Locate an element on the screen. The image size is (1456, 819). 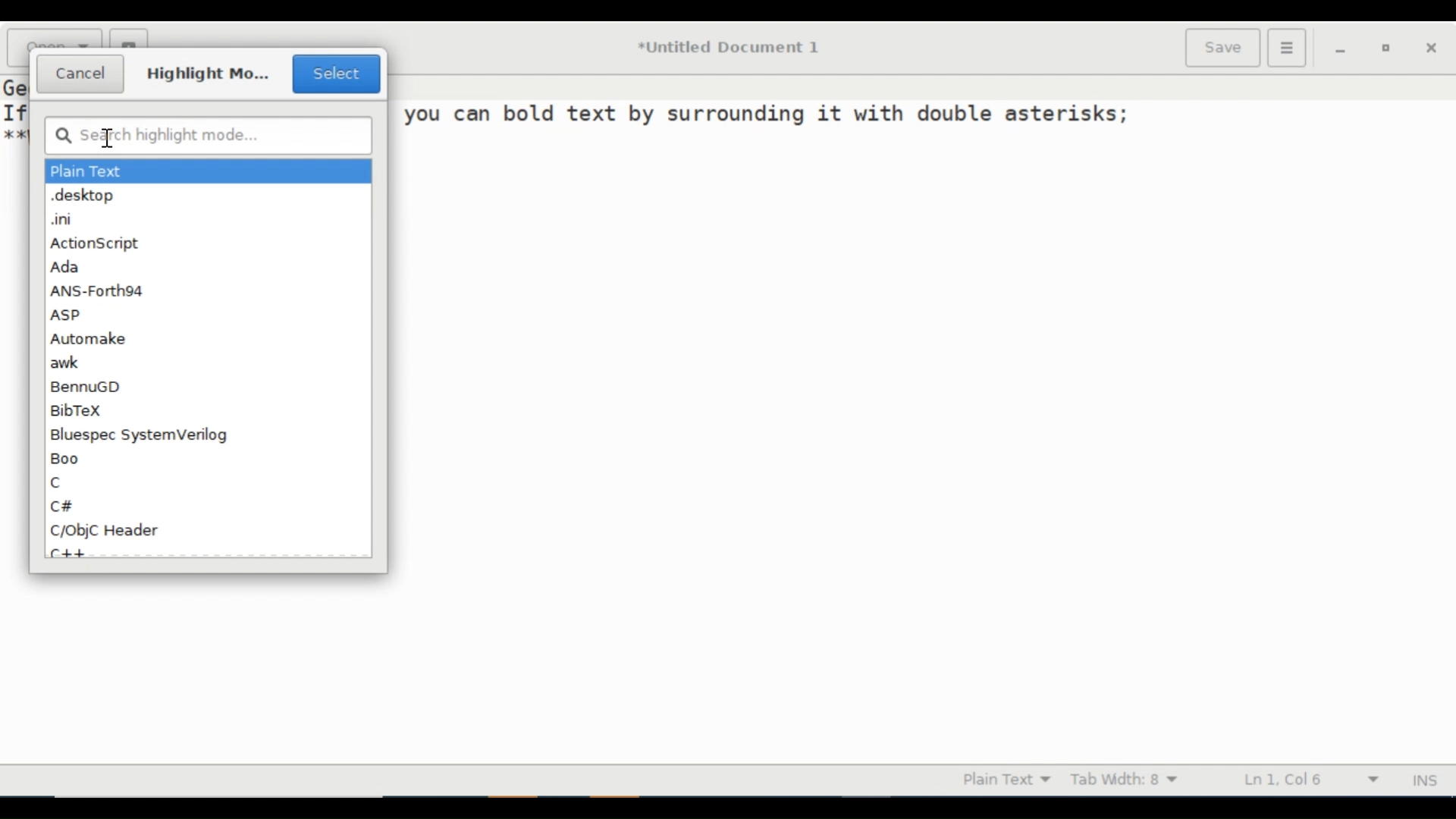
Highlight mode dropdown menu is located at coordinates (1009, 778).